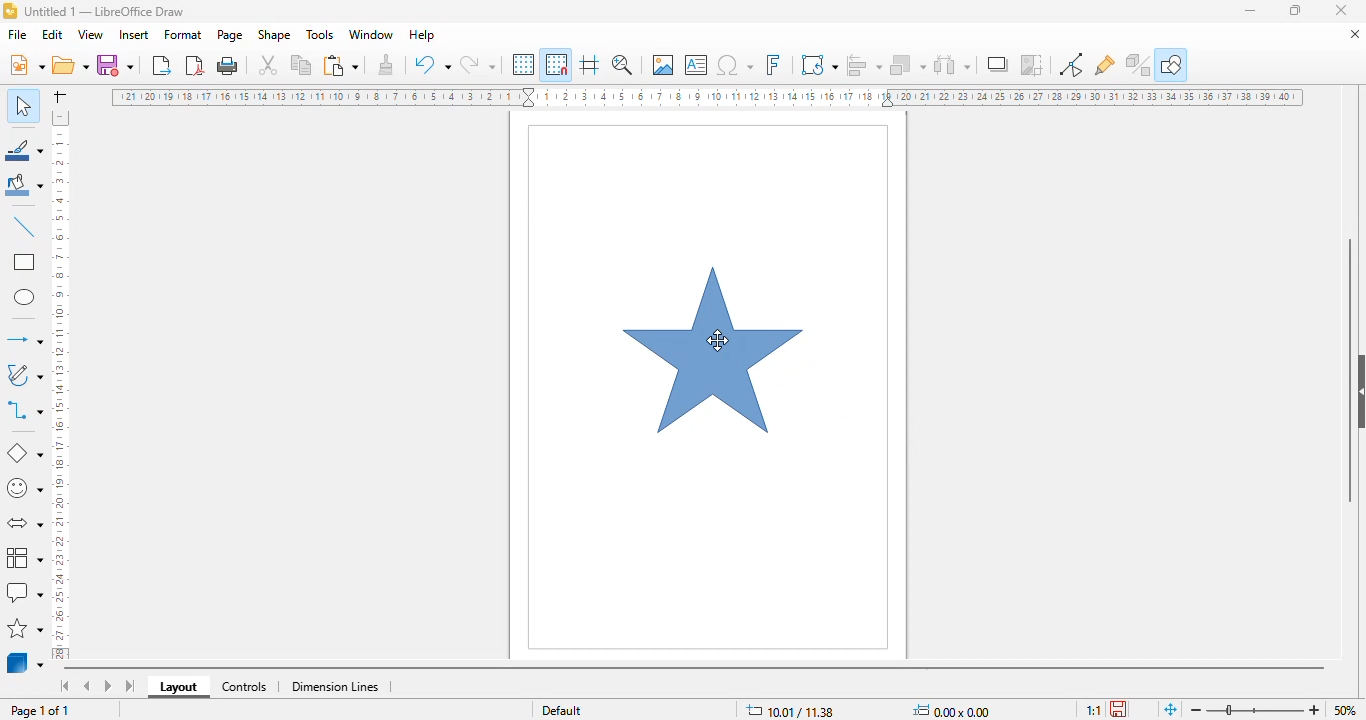  I want to click on close, so click(1342, 11).